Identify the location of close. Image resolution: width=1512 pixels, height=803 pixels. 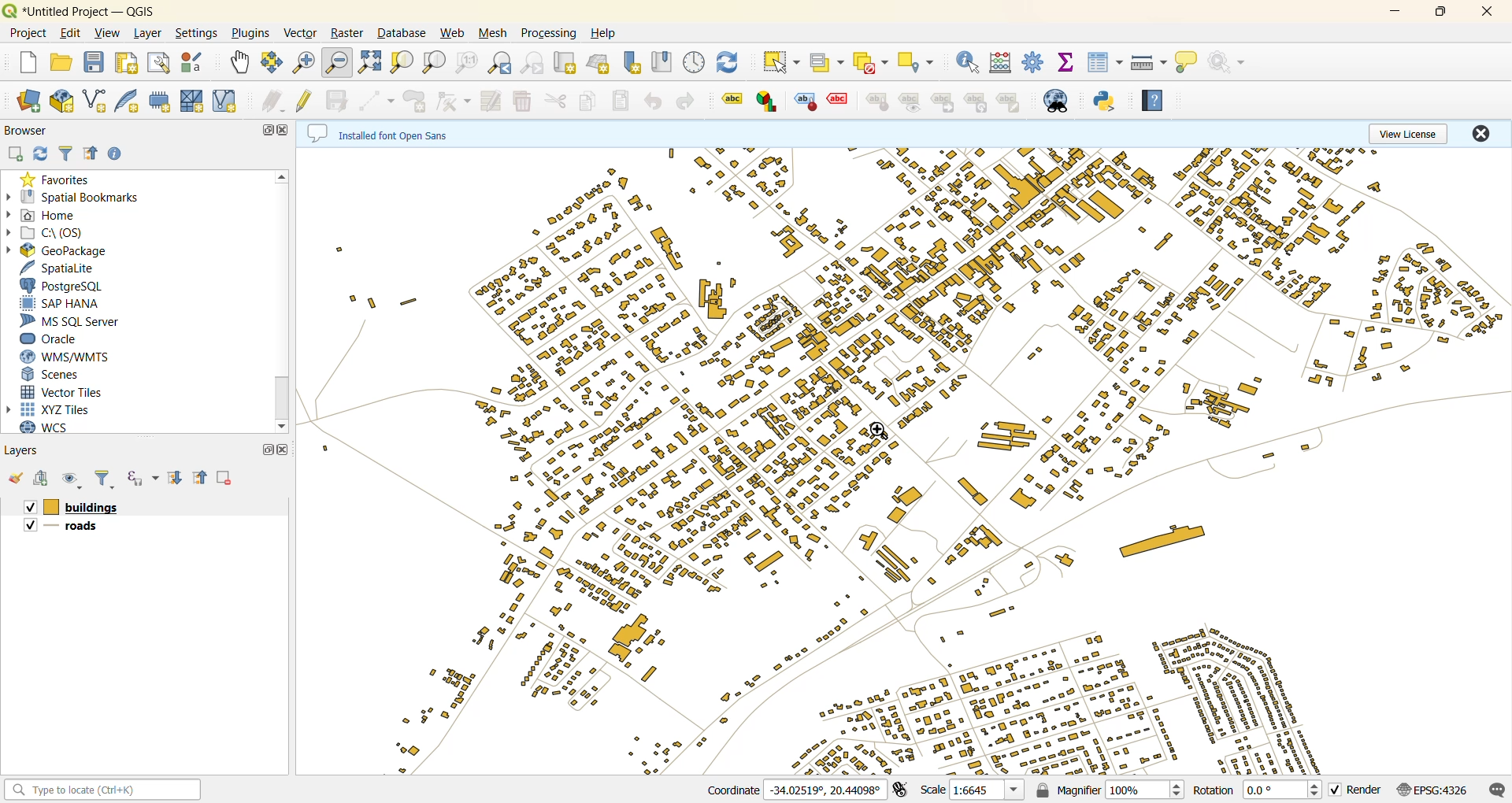
(291, 130).